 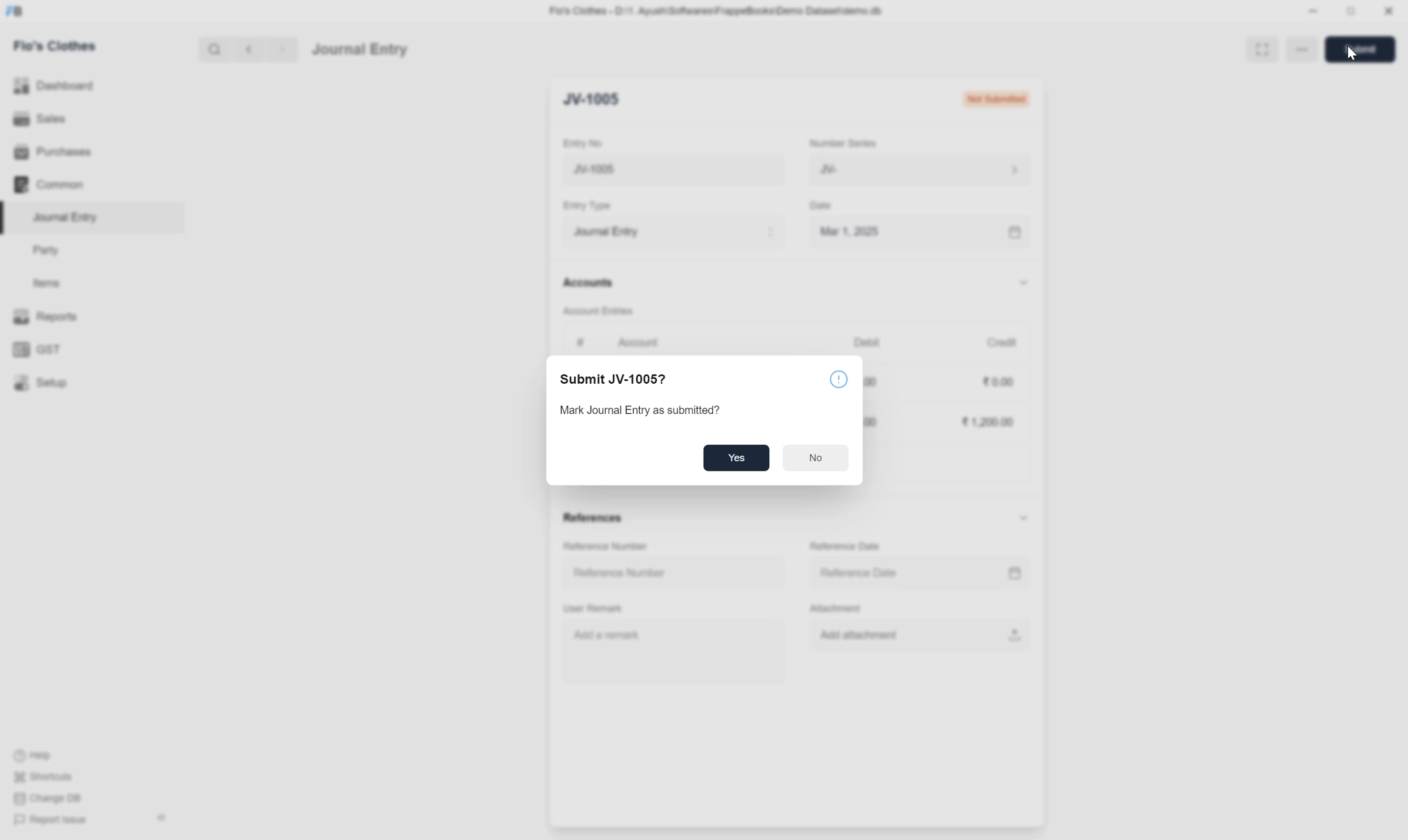 I want to click on Mark Journal Entry as submitted?, so click(x=652, y=409).